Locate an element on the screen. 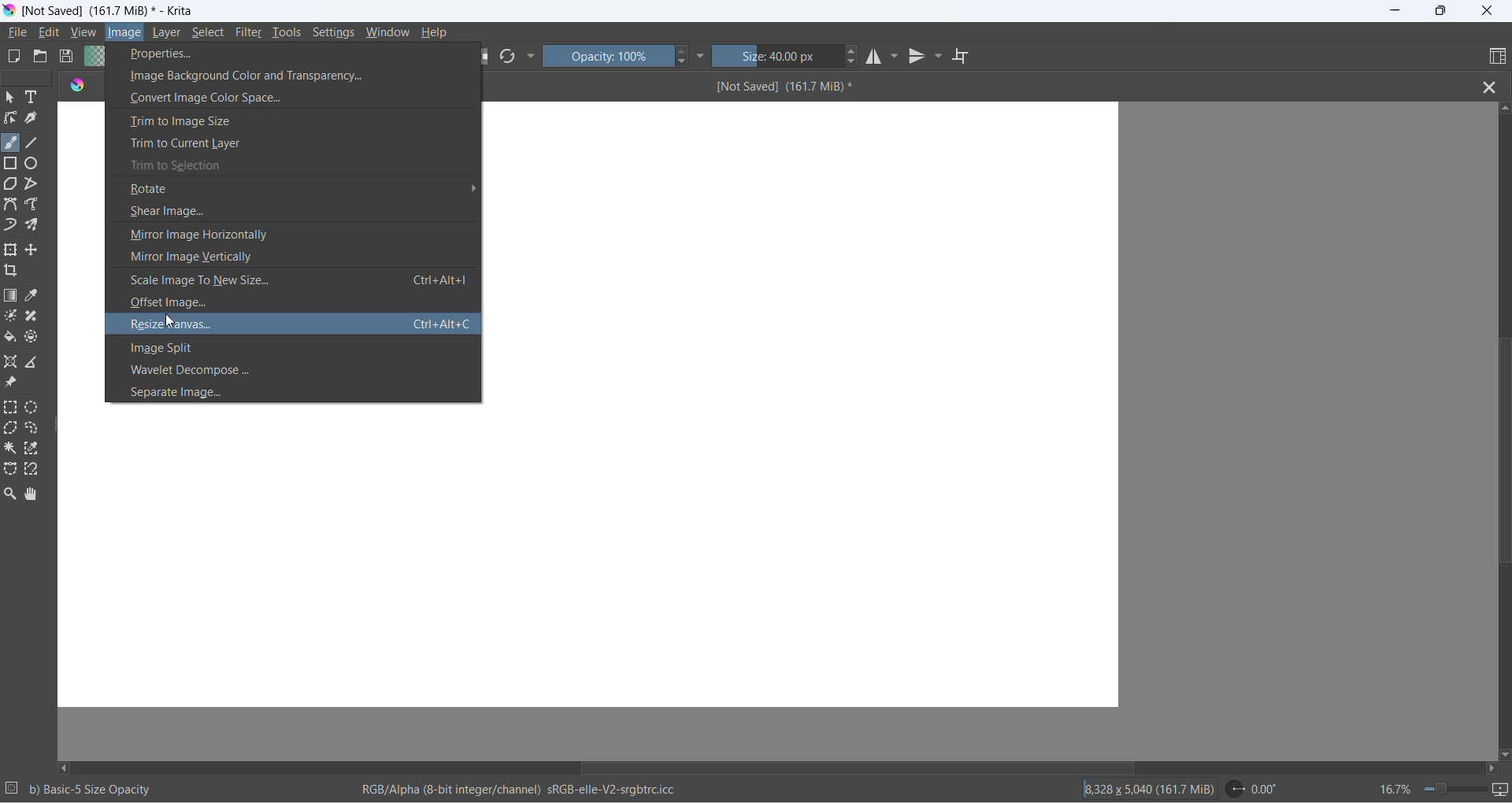 Image resolution: width=1512 pixels, height=803 pixels. save is located at coordinates (67, 58).